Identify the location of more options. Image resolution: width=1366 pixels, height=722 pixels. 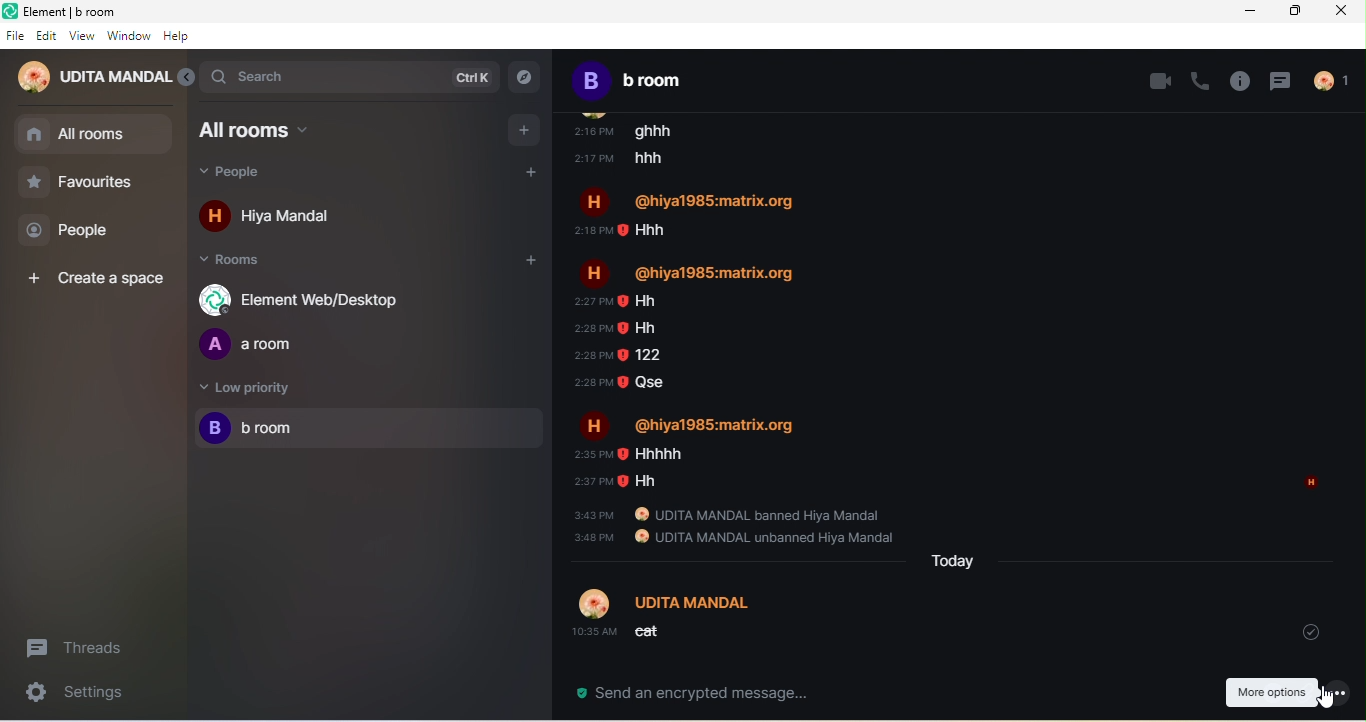
(1270, 692).